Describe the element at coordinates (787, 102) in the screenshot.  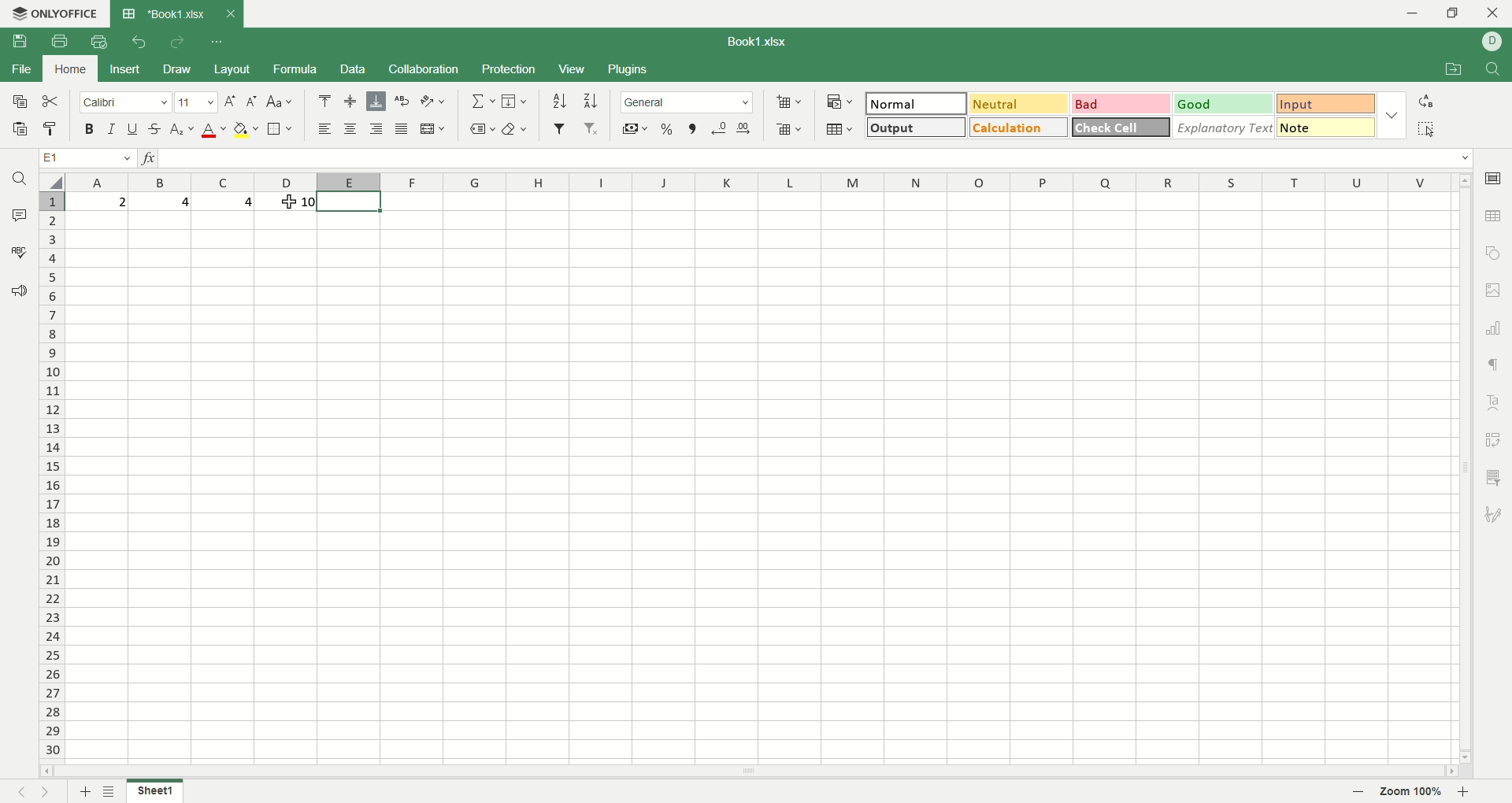
I see `add cell` at that location.